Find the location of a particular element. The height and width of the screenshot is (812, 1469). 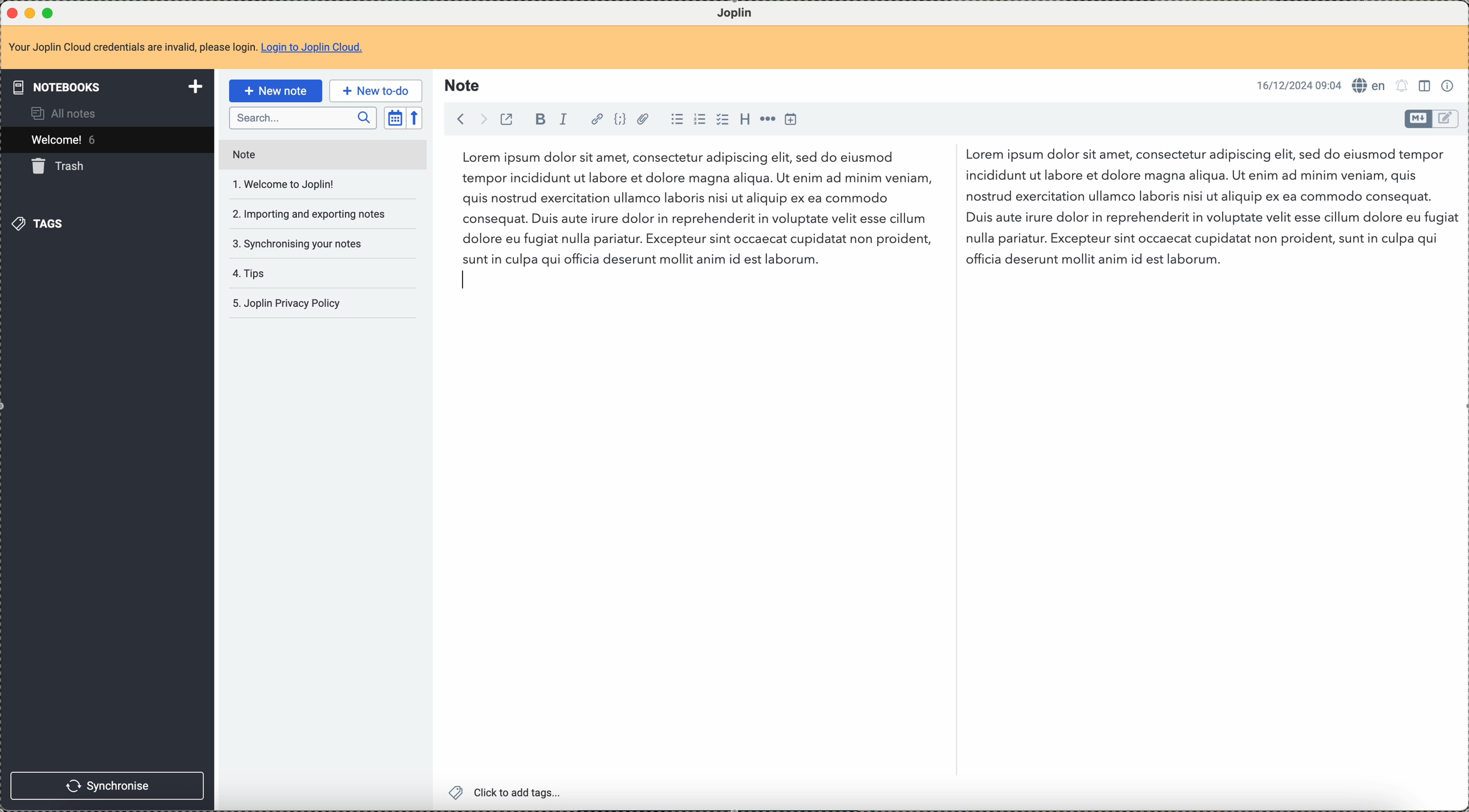

toggle sort order field is located at coordinates (393, 117).